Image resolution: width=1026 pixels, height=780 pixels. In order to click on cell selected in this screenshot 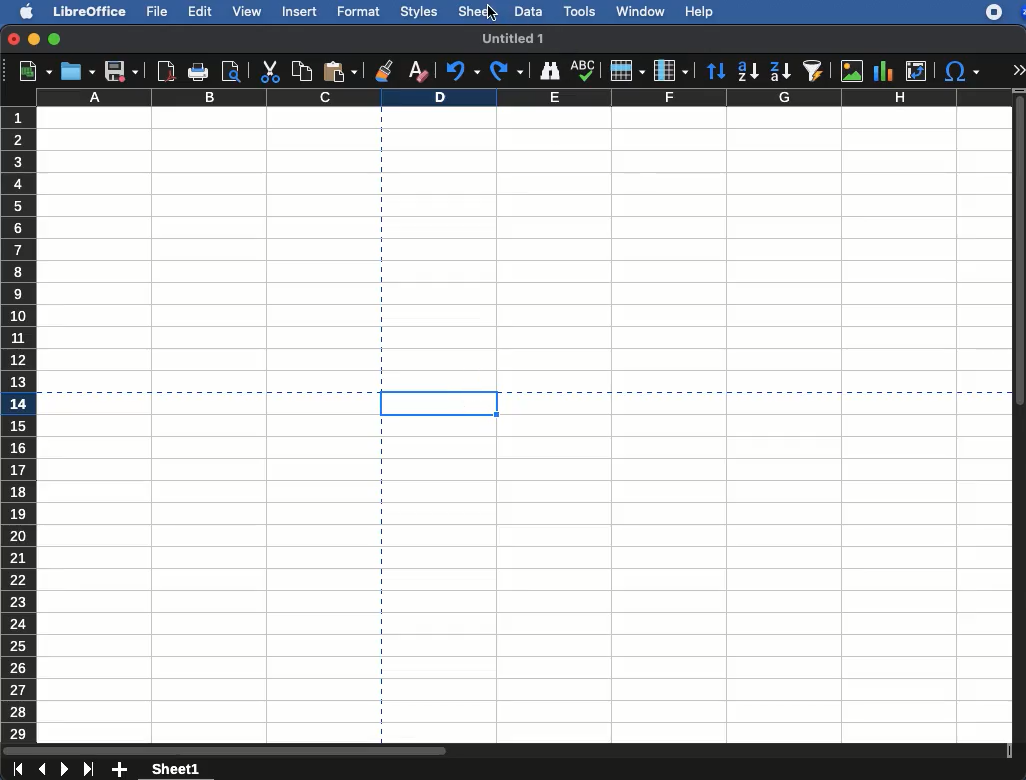, I will do `click(435, 403)`.